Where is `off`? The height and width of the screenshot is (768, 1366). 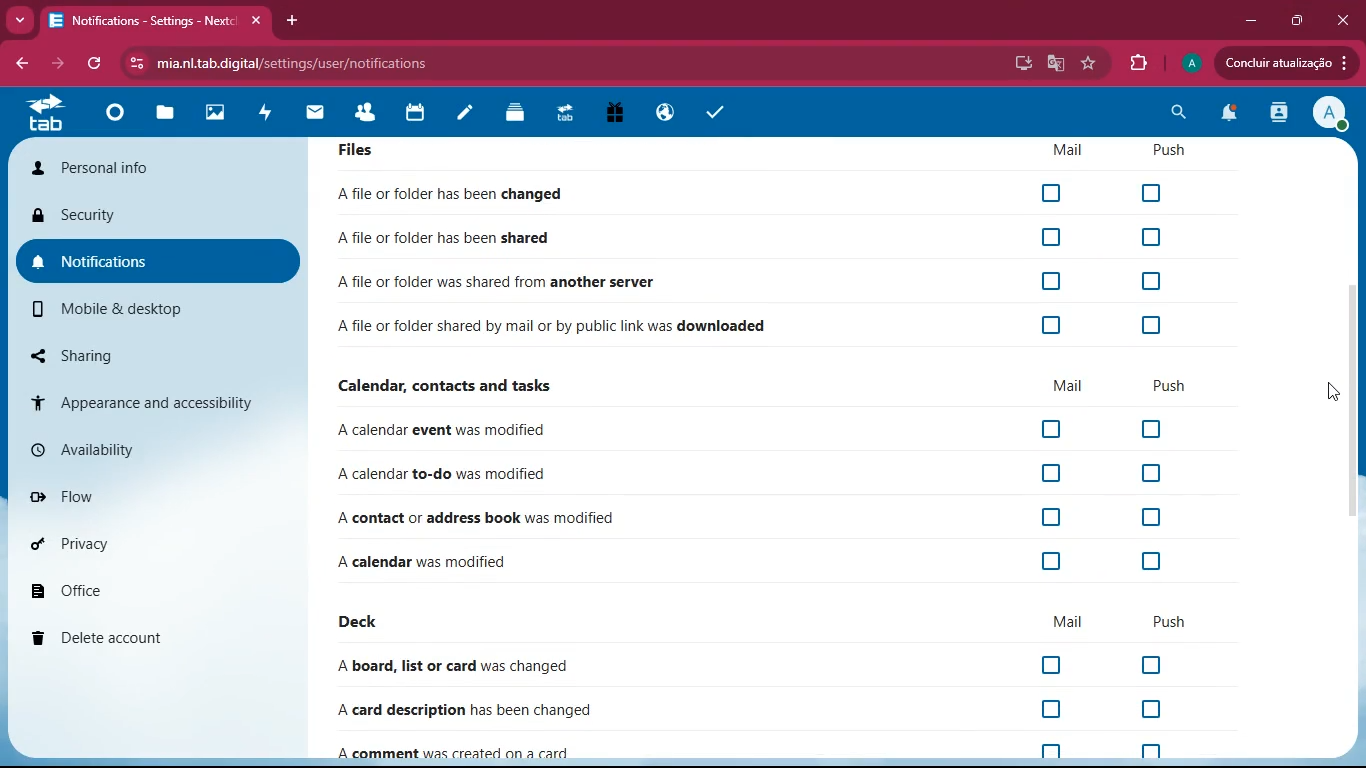
off is located at coordinates (1150, 752).